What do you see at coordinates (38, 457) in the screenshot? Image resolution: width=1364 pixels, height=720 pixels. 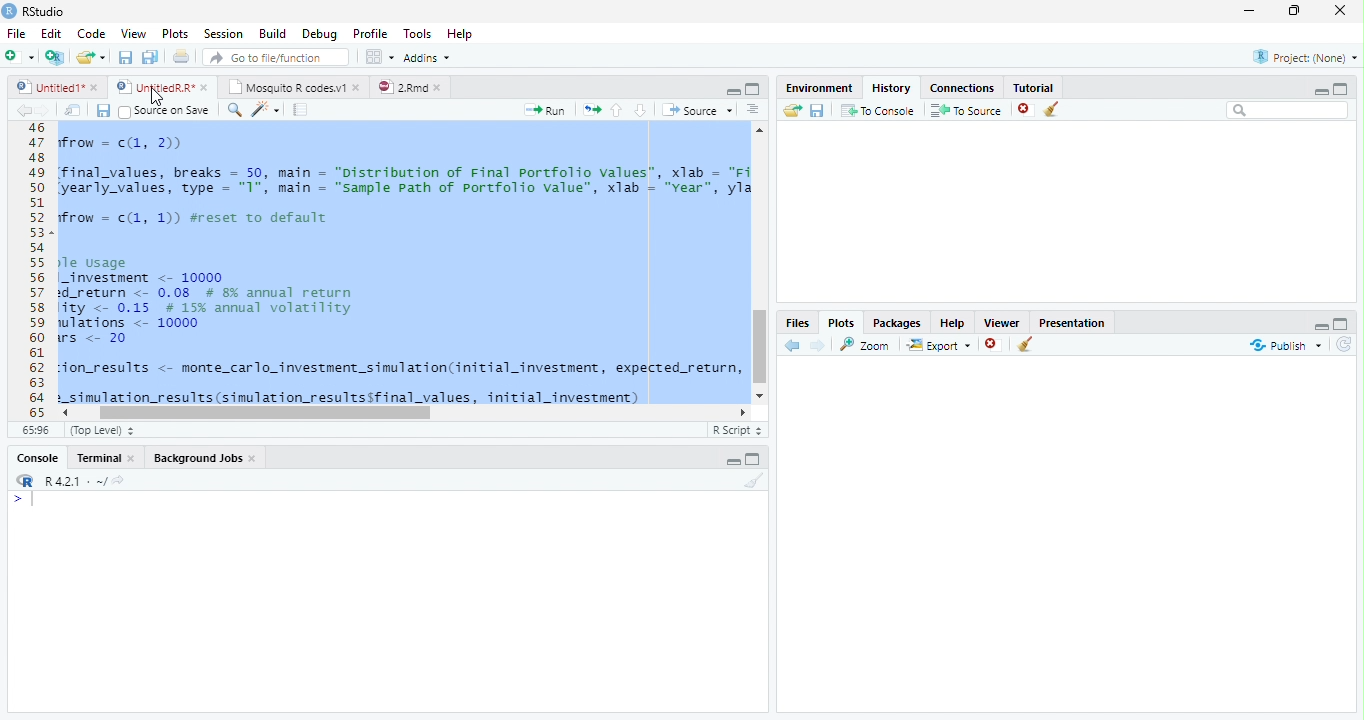 I see `Console` at bounding box center [38, 457].